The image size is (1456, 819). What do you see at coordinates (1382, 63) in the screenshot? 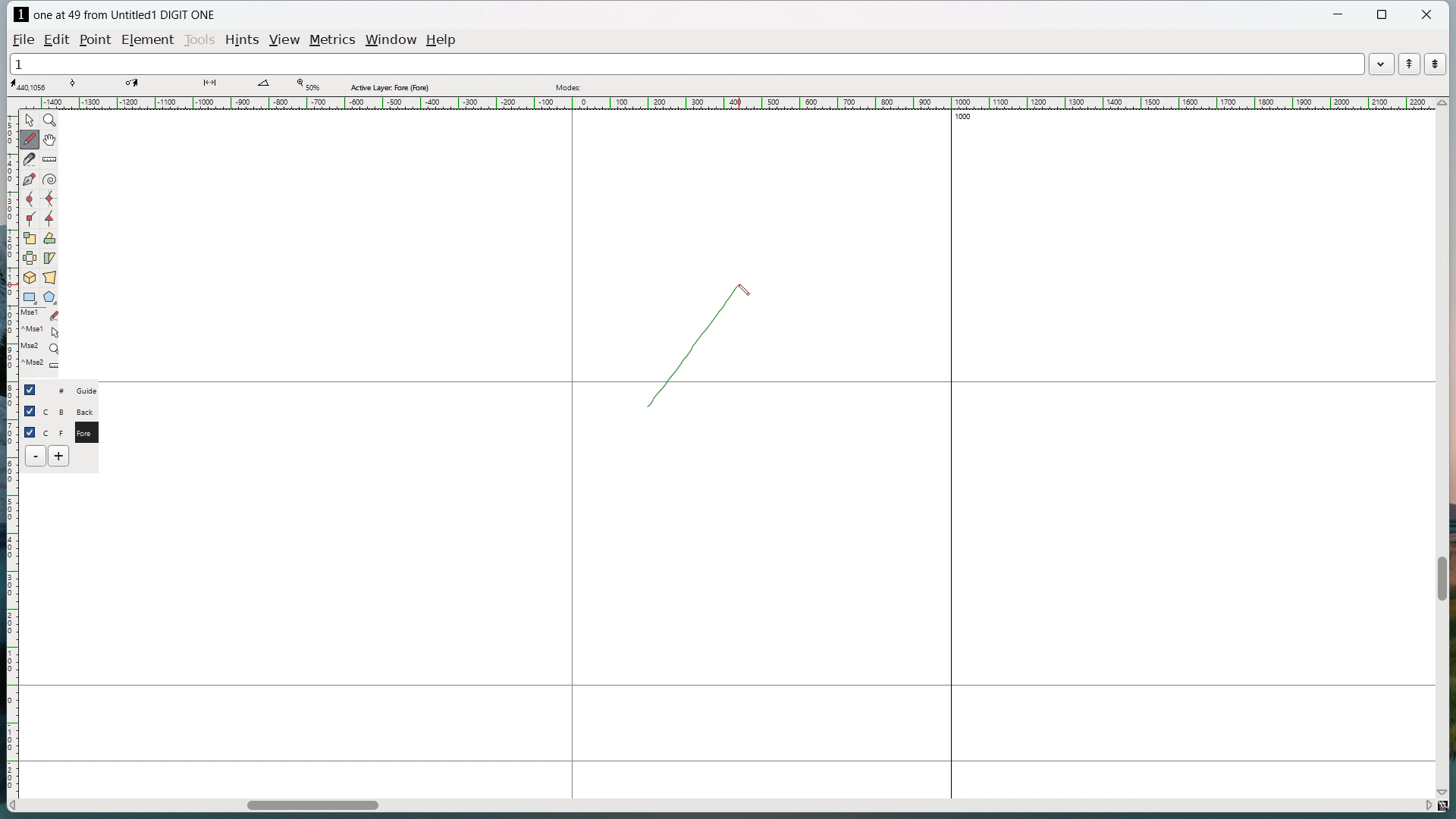
I see `word list` at bounding box center [1382, 63].